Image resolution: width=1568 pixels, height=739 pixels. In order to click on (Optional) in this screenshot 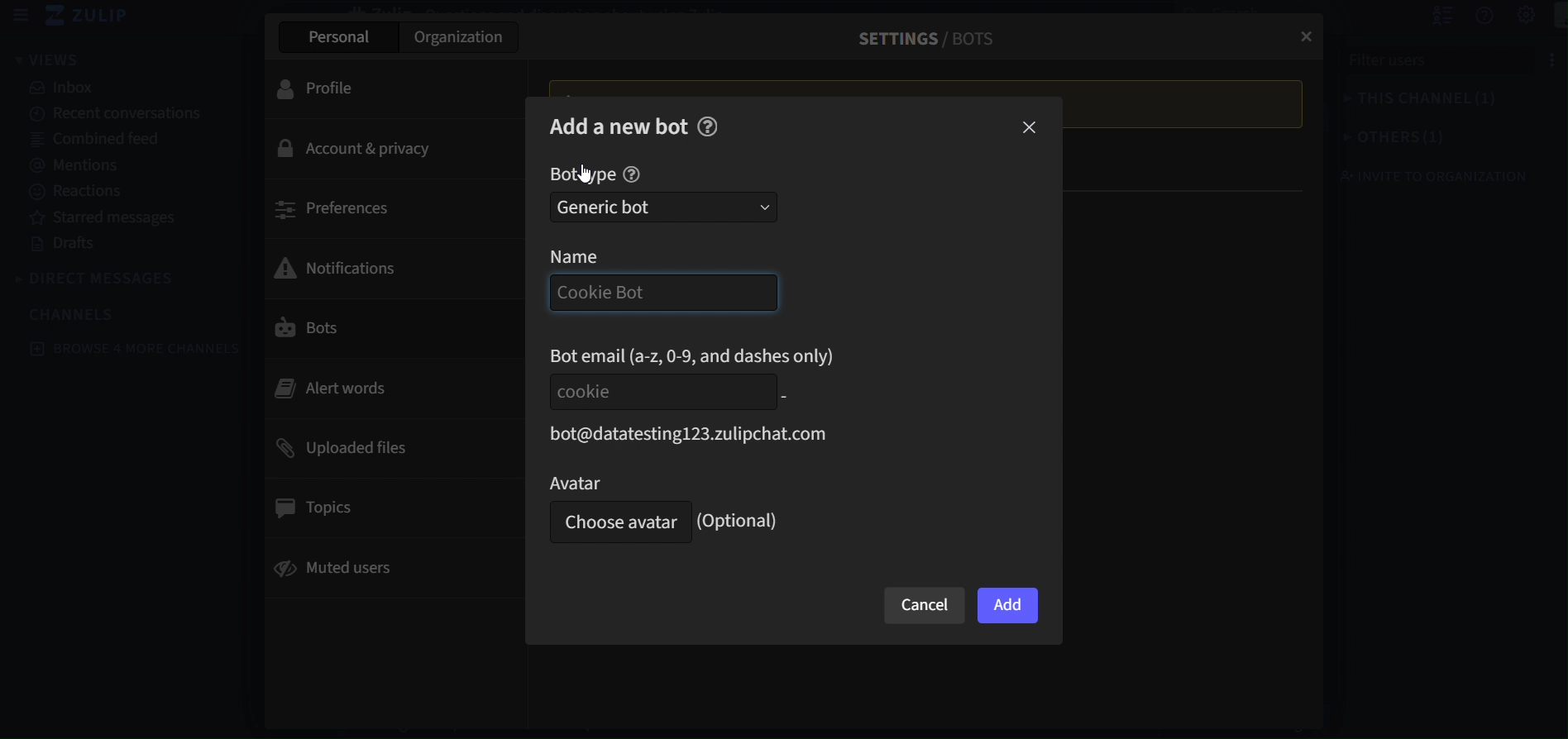, I will do `click(742, 521)`.